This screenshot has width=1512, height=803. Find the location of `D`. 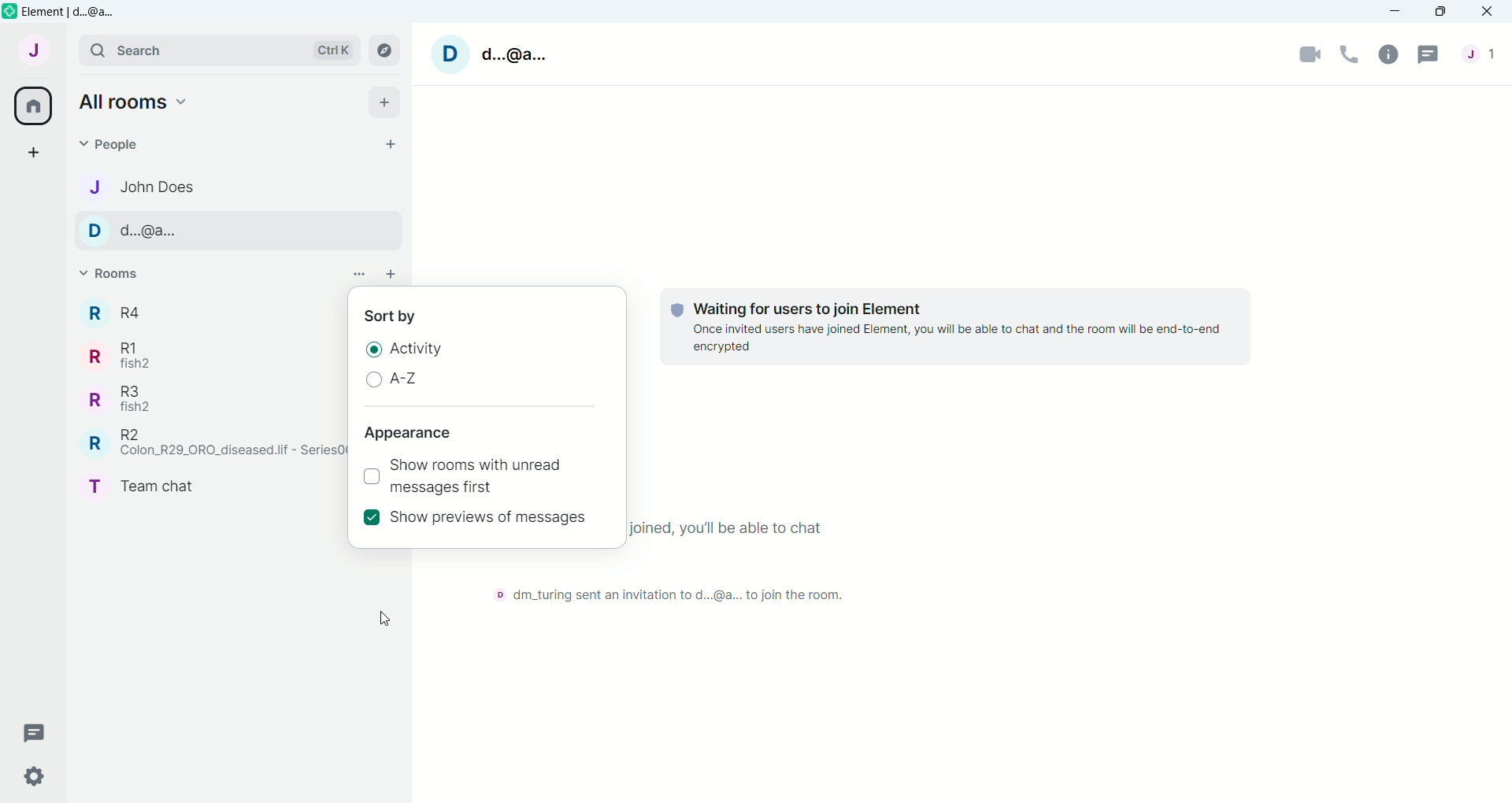

D is located at coordinates (451, 54).